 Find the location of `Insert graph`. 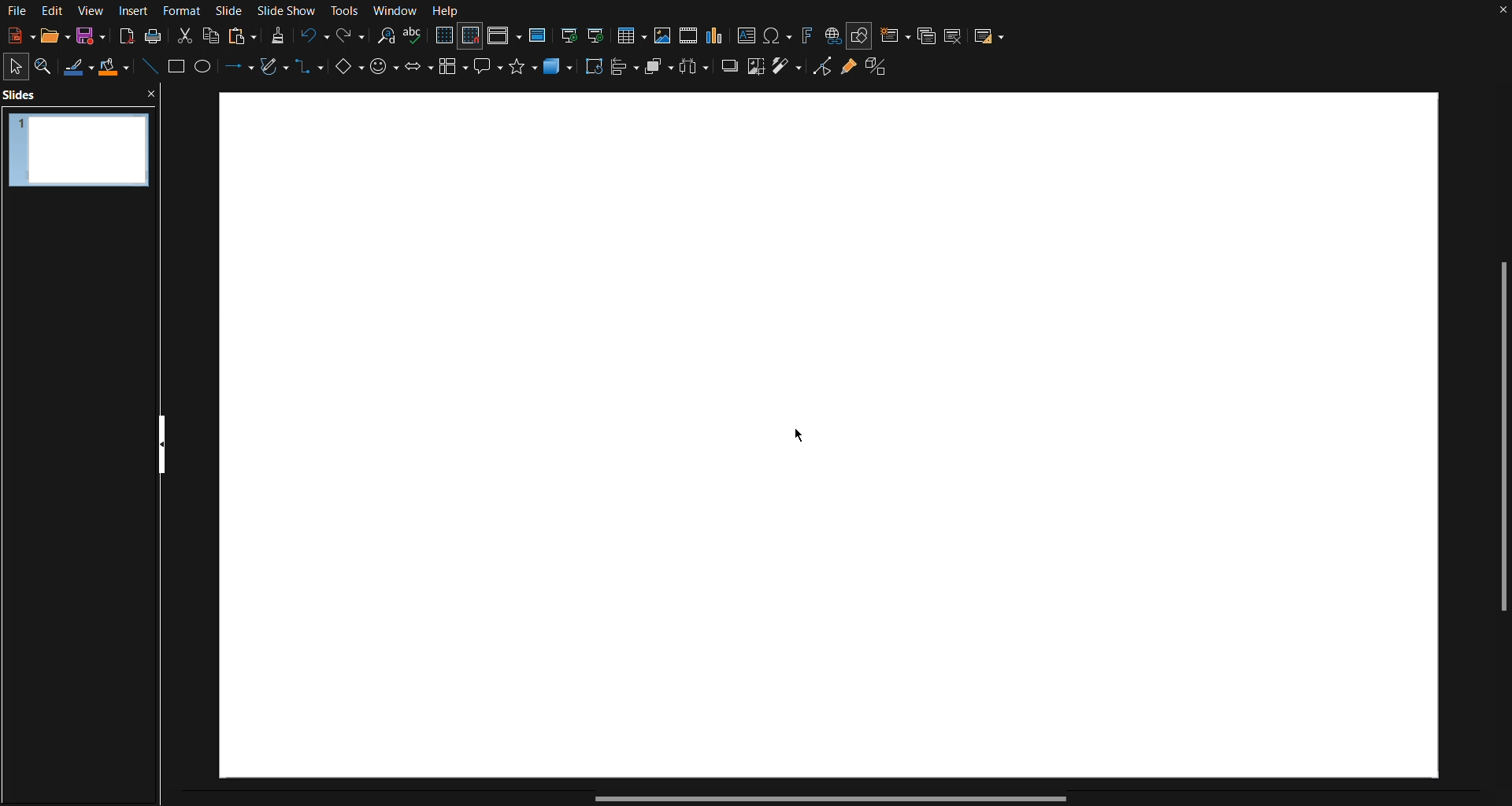

Insert graph is located at coordinates (716, 35).